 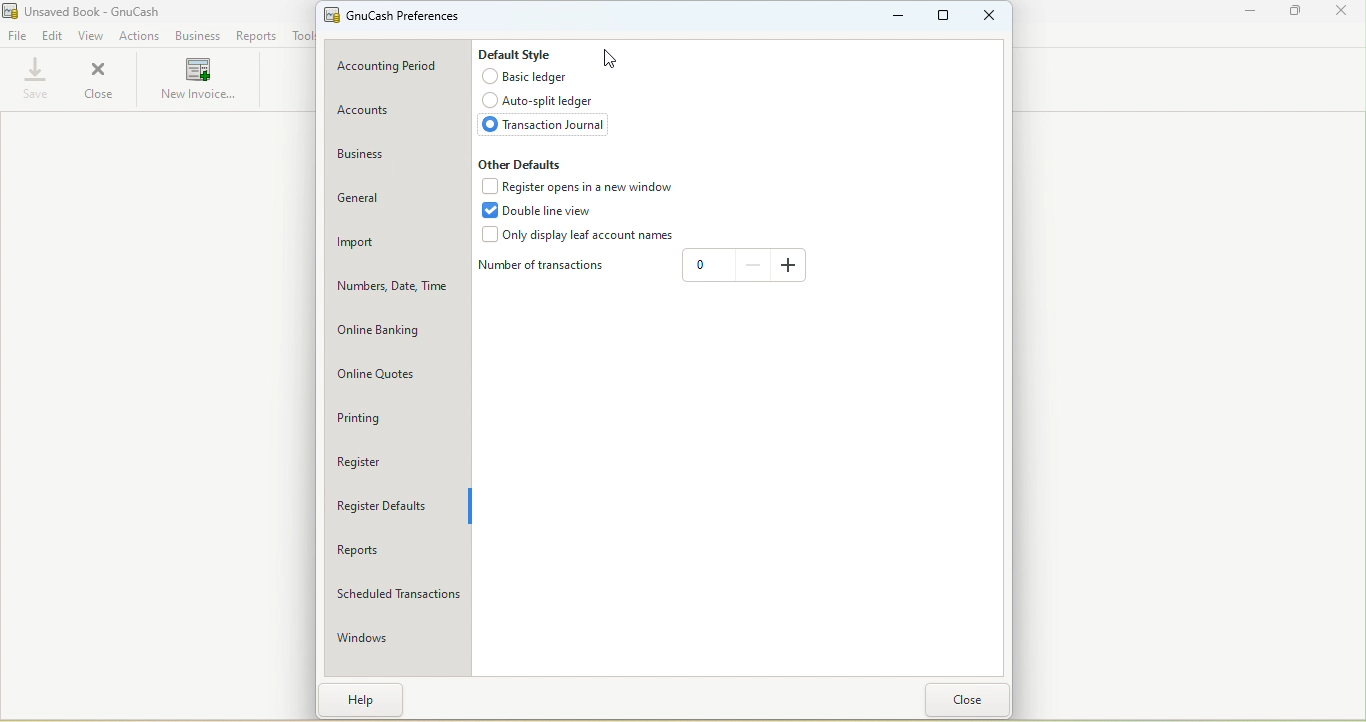 What do you see at coordinates (546, 102) in the screenshot?
I see `Auto-split ledger` at bounding box center [546, 102].